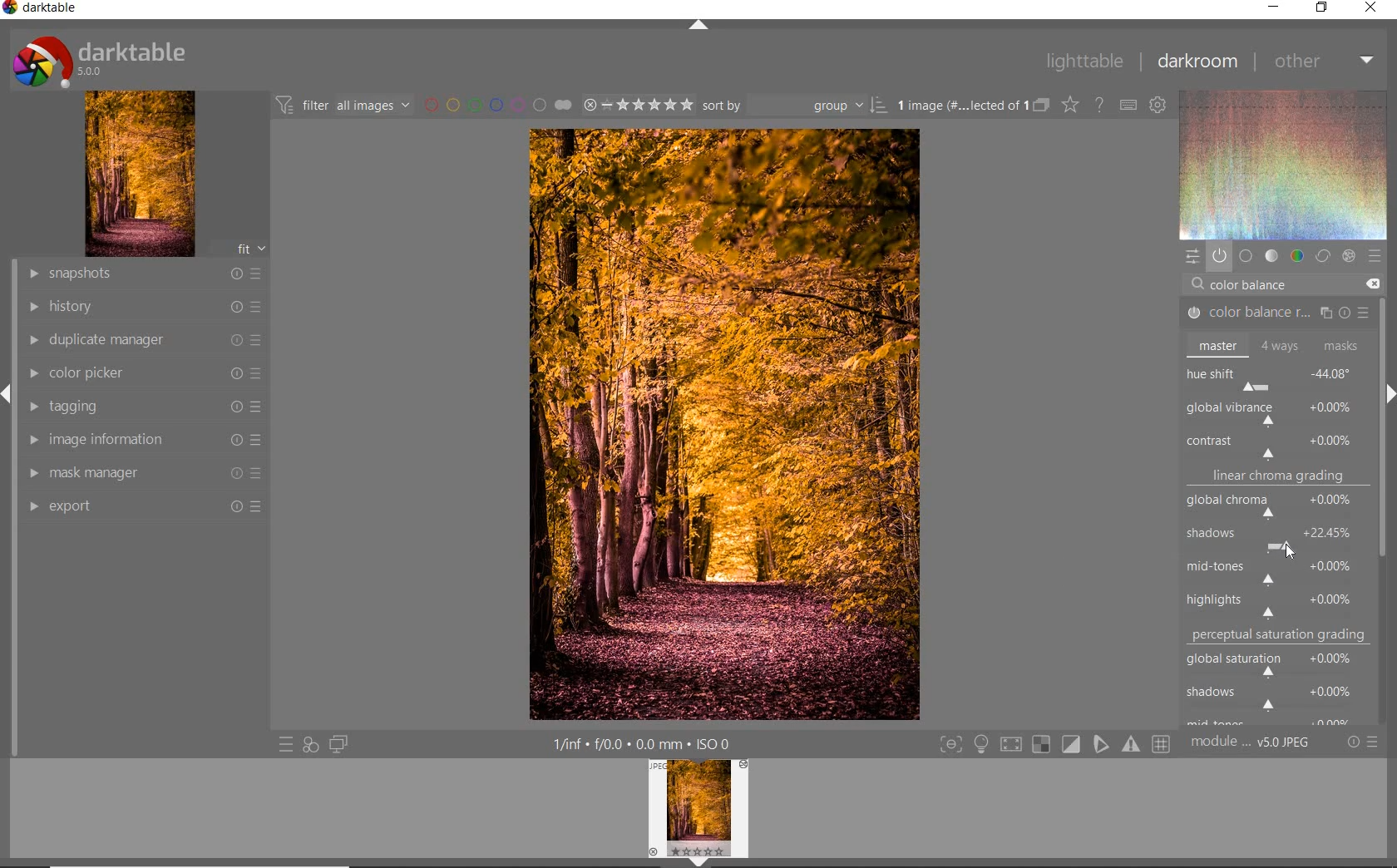  What do you see at coordinates (1384, 330) in the screenshot?
I see `scrollbar` at bounding box center [1384, 330].